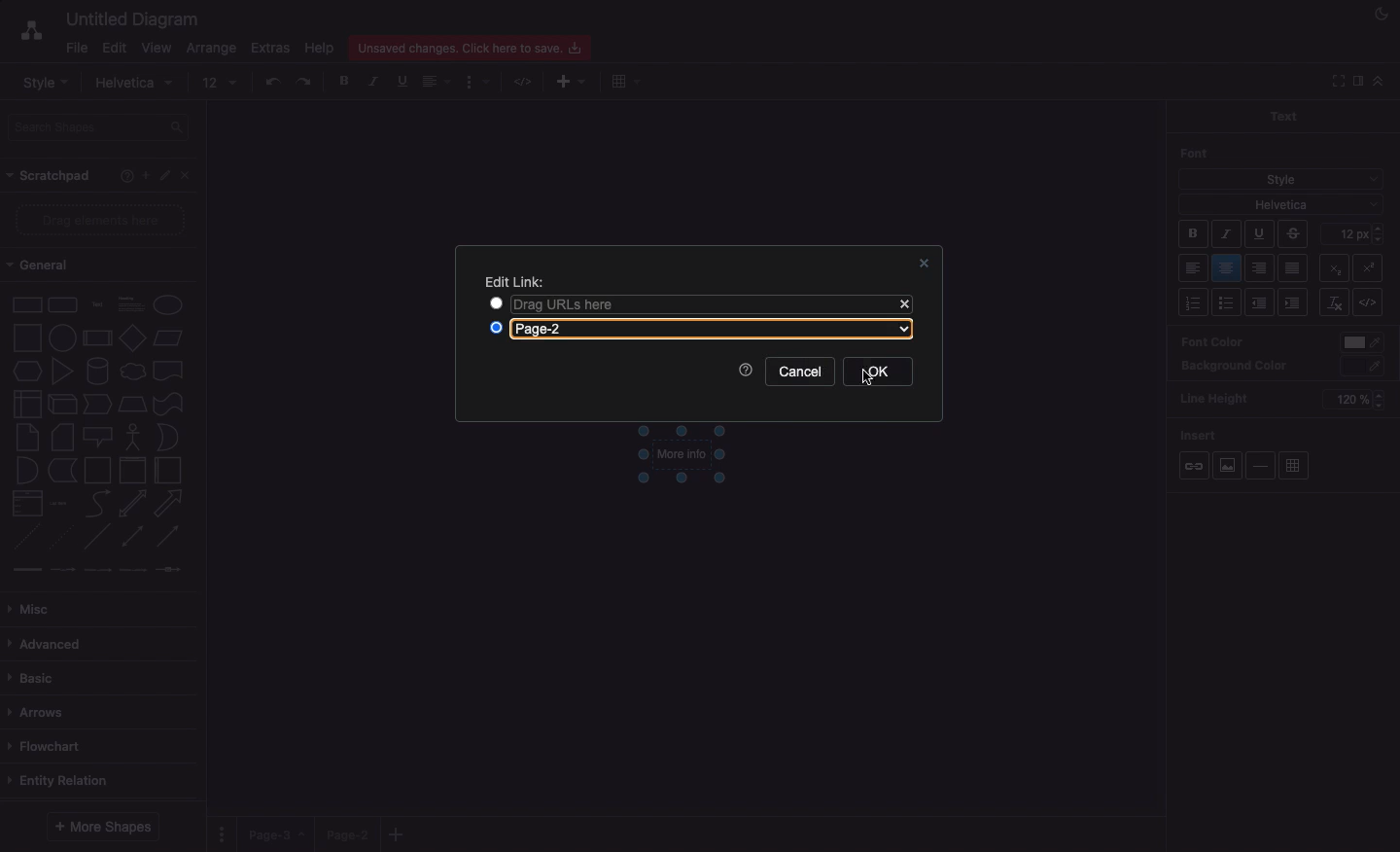 This screenshot has height=852, width=1400. I want to click on Underline, so click(1258, 235).